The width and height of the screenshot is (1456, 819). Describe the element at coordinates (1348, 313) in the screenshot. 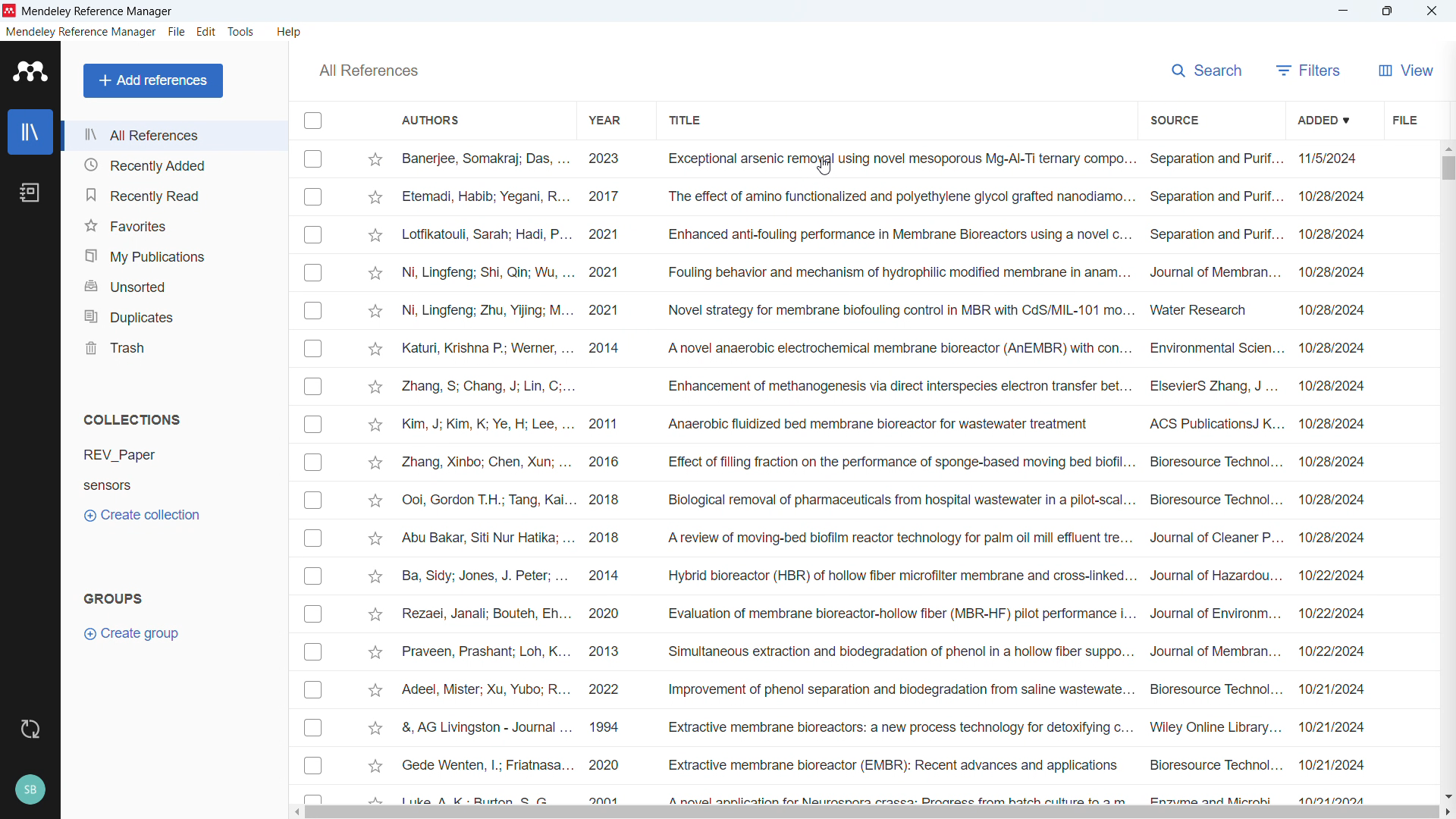

I see `10/28/2024` at that location.